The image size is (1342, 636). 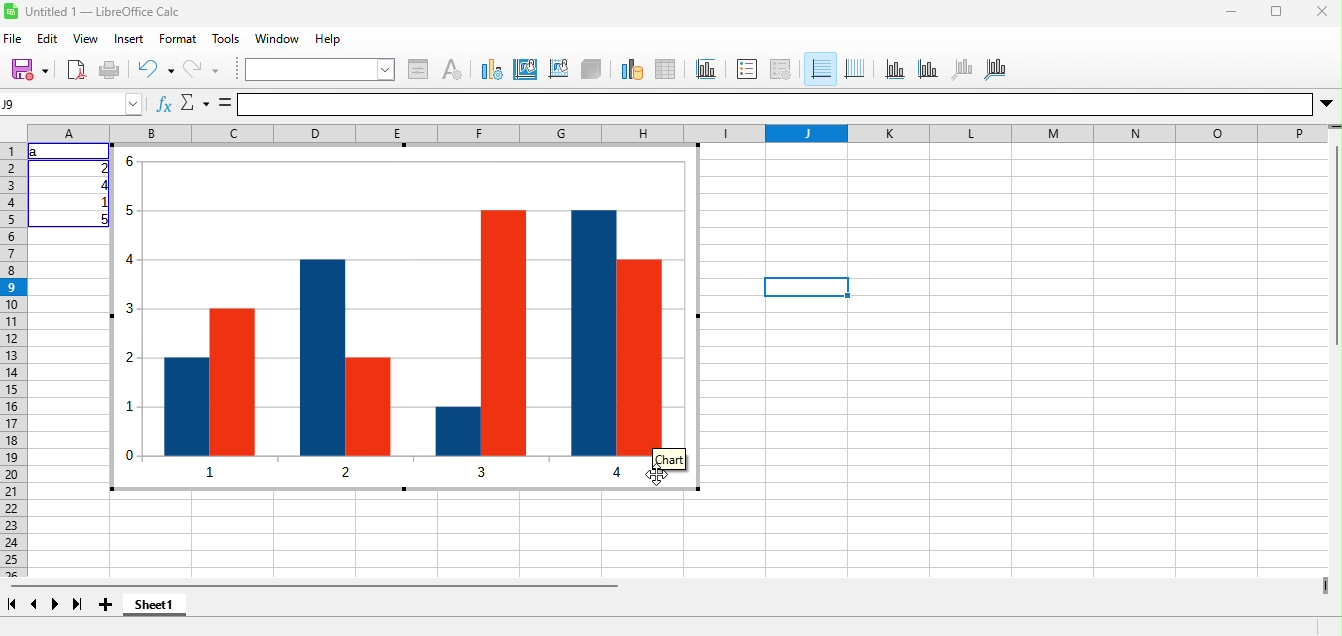 What do you see at coordinates (963, 70) in the screenshot?
I see `z axis` at bounding box center [963, 70].